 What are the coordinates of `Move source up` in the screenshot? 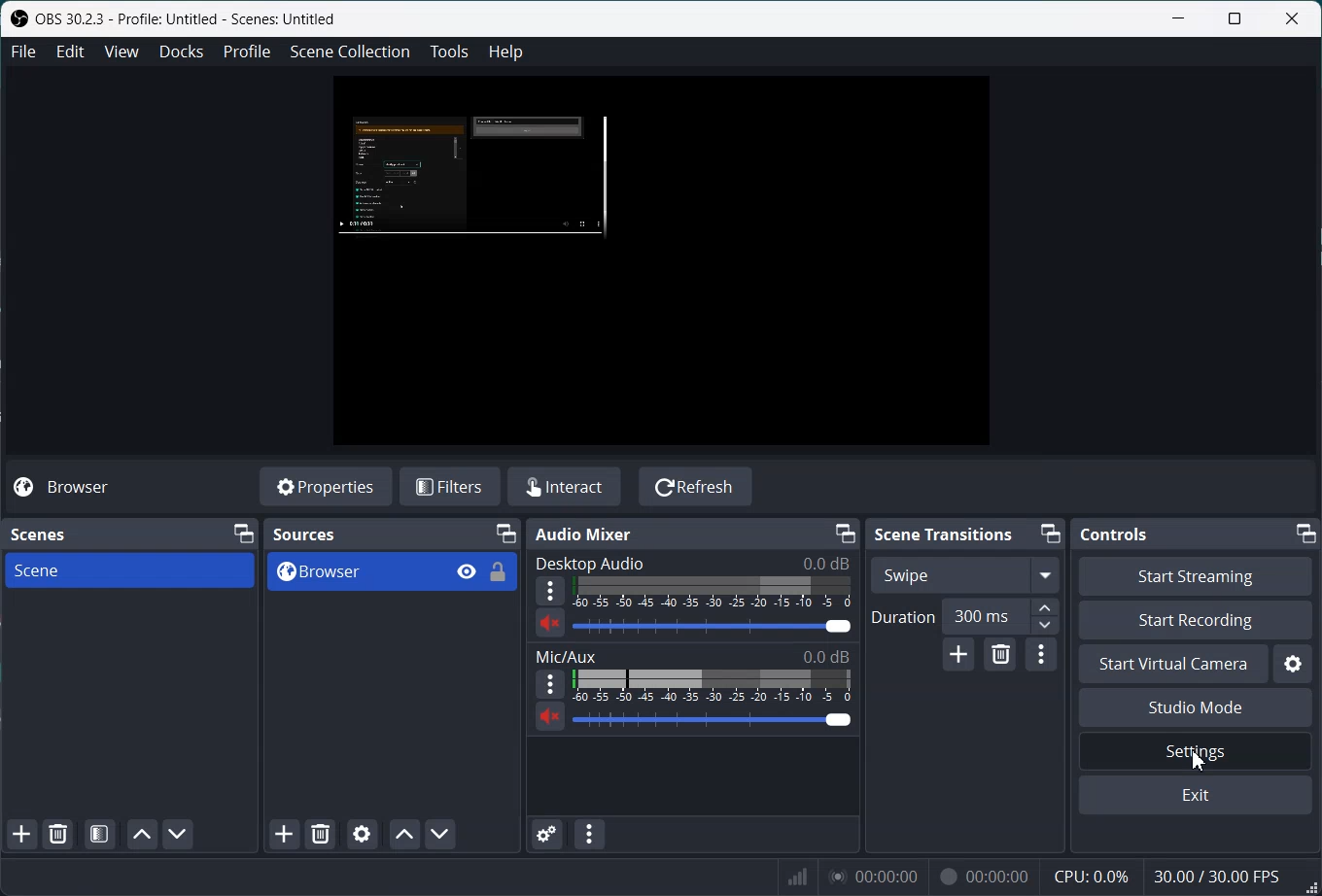 It's located at (404, 834).